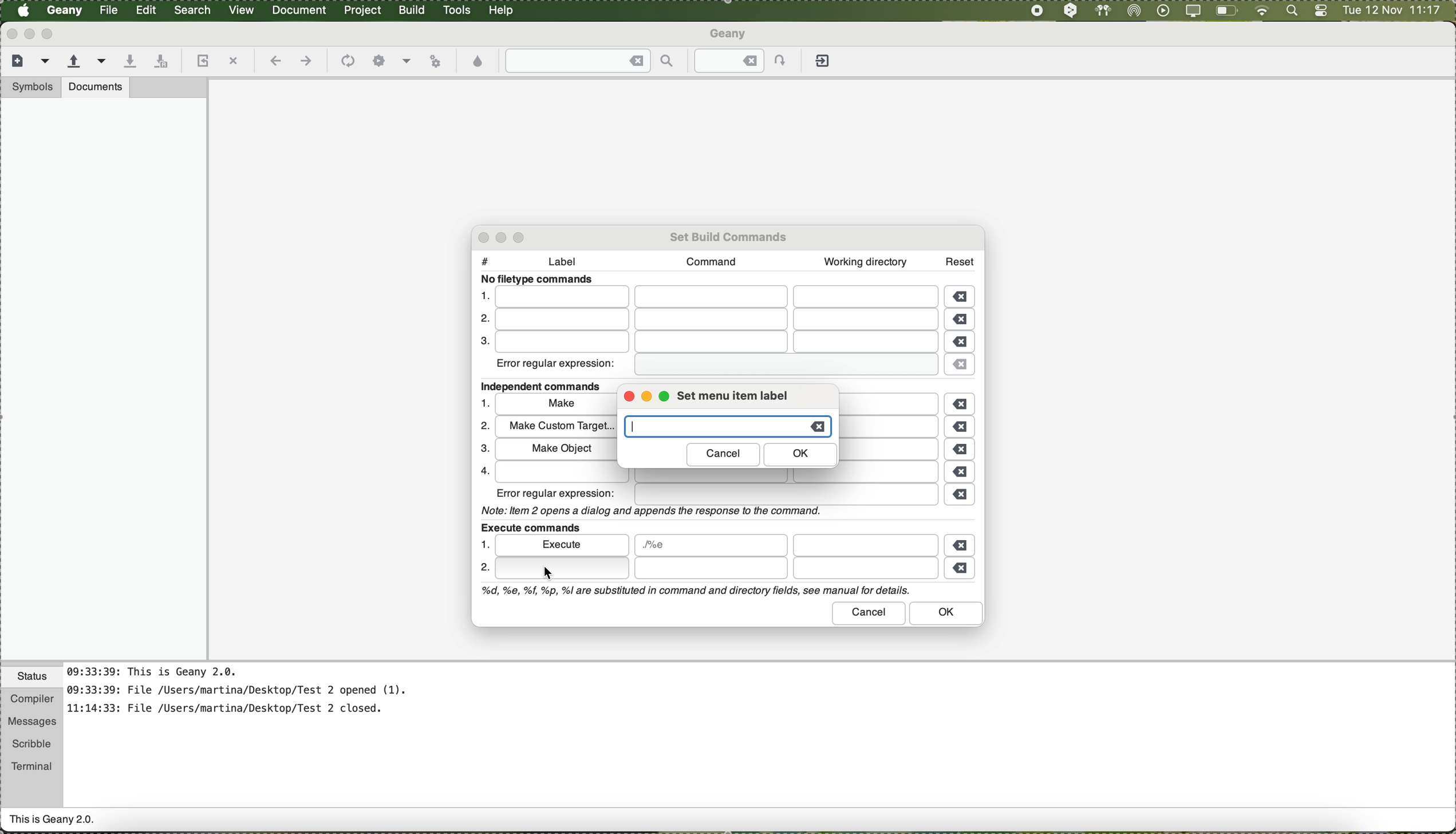 This screenshot has width=1456, height=834. I want to click on minimize, so click(30, 34).